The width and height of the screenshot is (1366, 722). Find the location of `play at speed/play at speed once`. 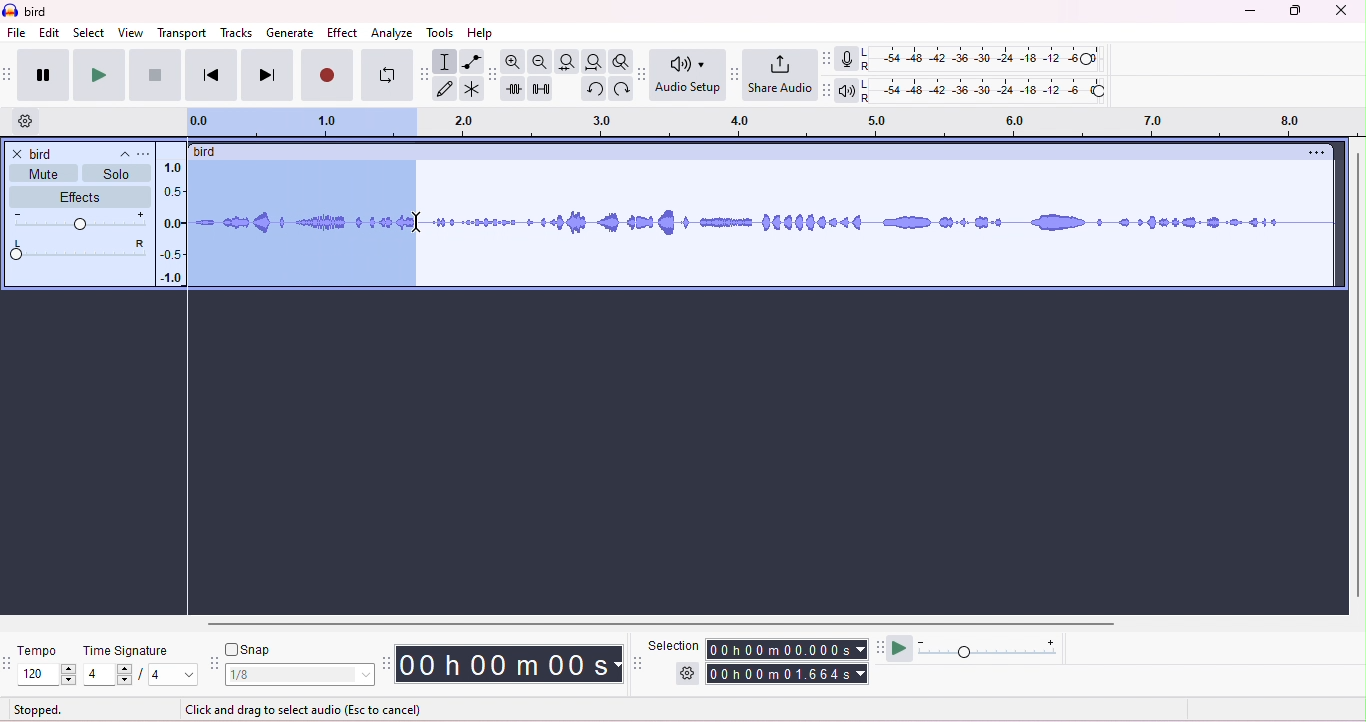

play at speed/play at speed once is located at coordinates (902, 649).